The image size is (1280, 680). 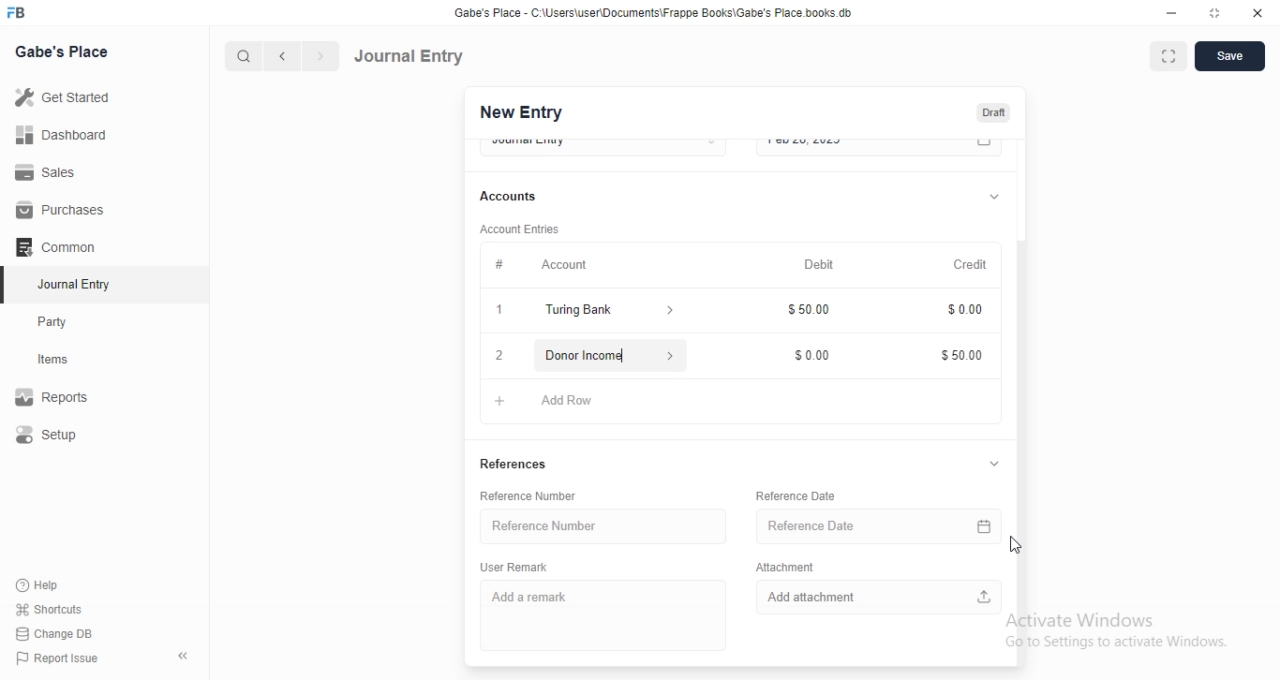 I want to click on Reference Number, so click(x=537, y=496).